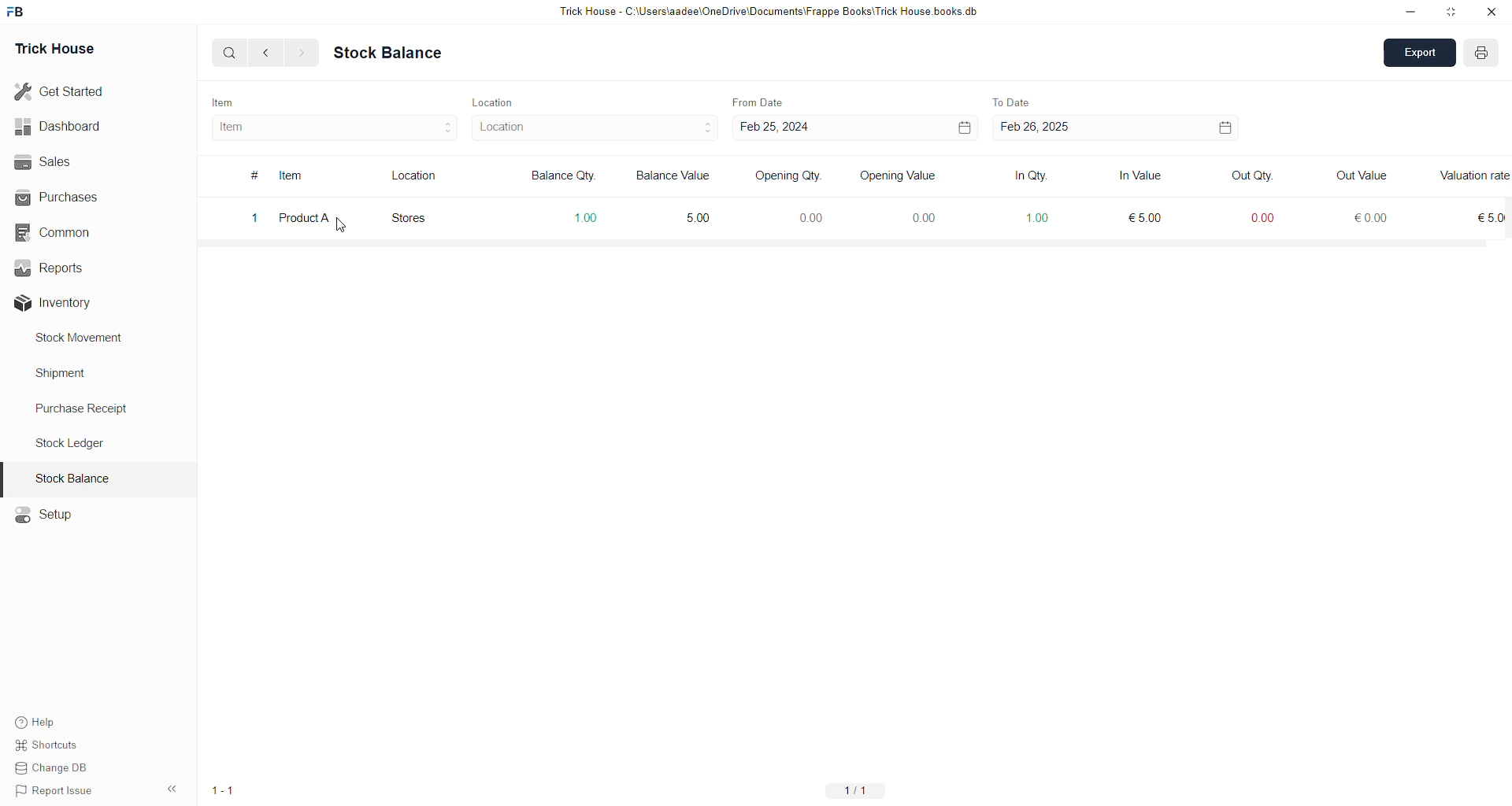 This screenshot has height=806, width=1512. I want to click on Balance Value, so click(668, 178).